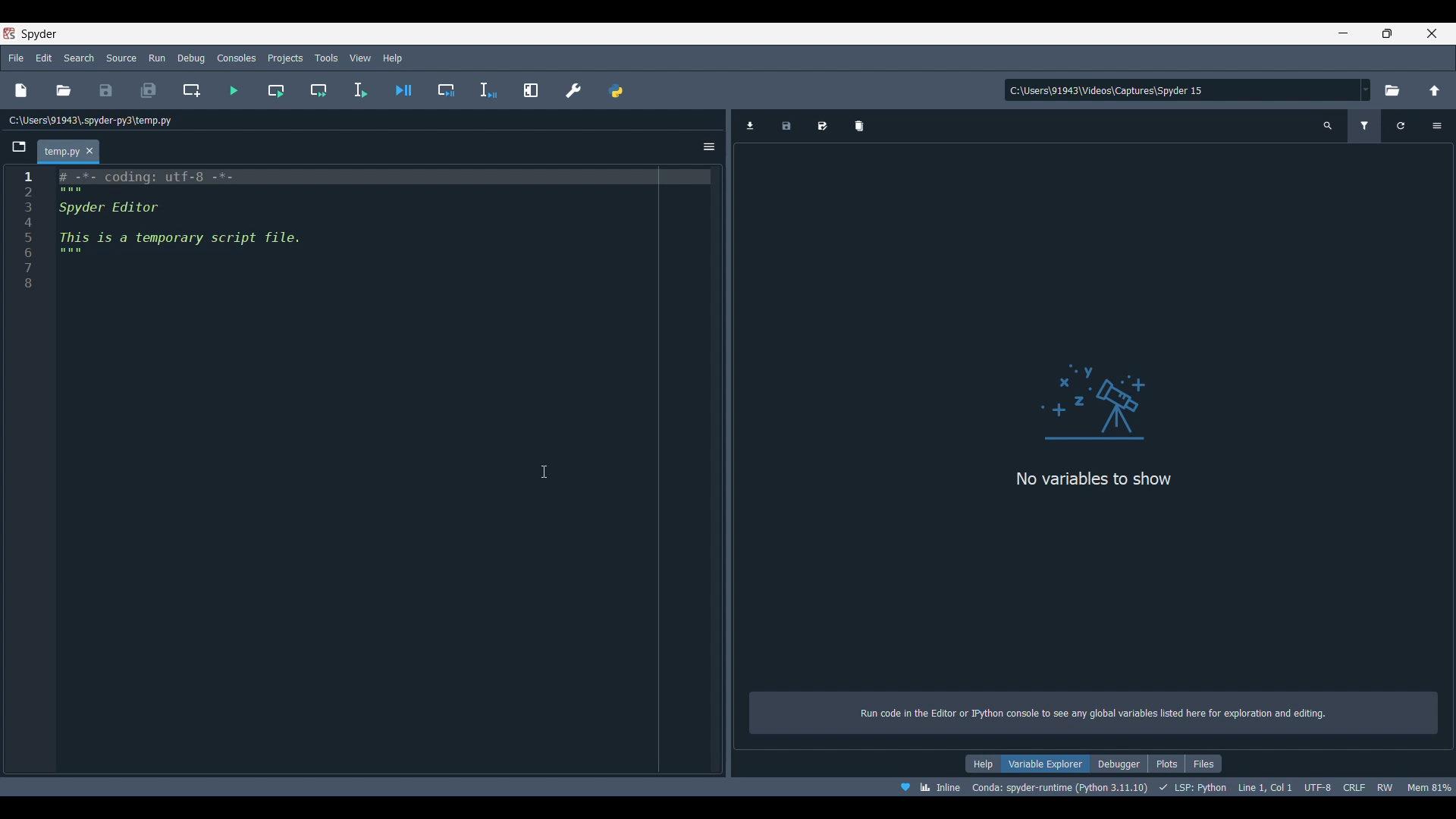 This screenshot has height=819, width=1456. Describe the element at coordinates (1329, 126) in the screenshot. I see `Search variable by names and types` at that location.